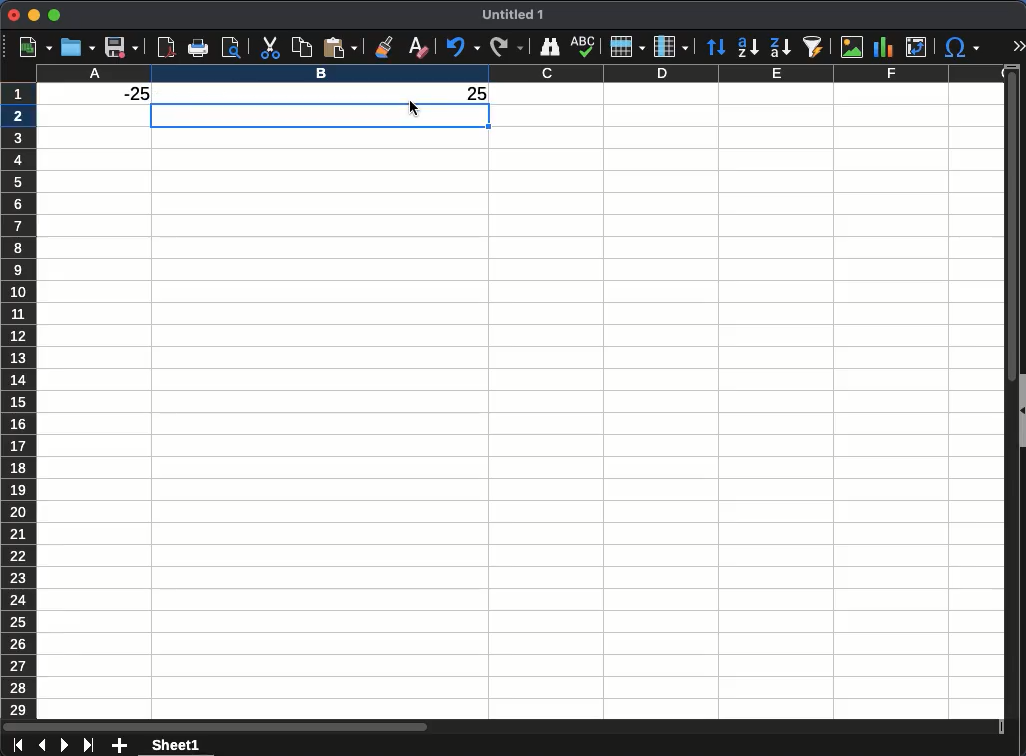 The height and width of the screenshot is (756, 1026). Describe the element at coordinates (962, 47) in the screenshot. I see `special character` at that location.